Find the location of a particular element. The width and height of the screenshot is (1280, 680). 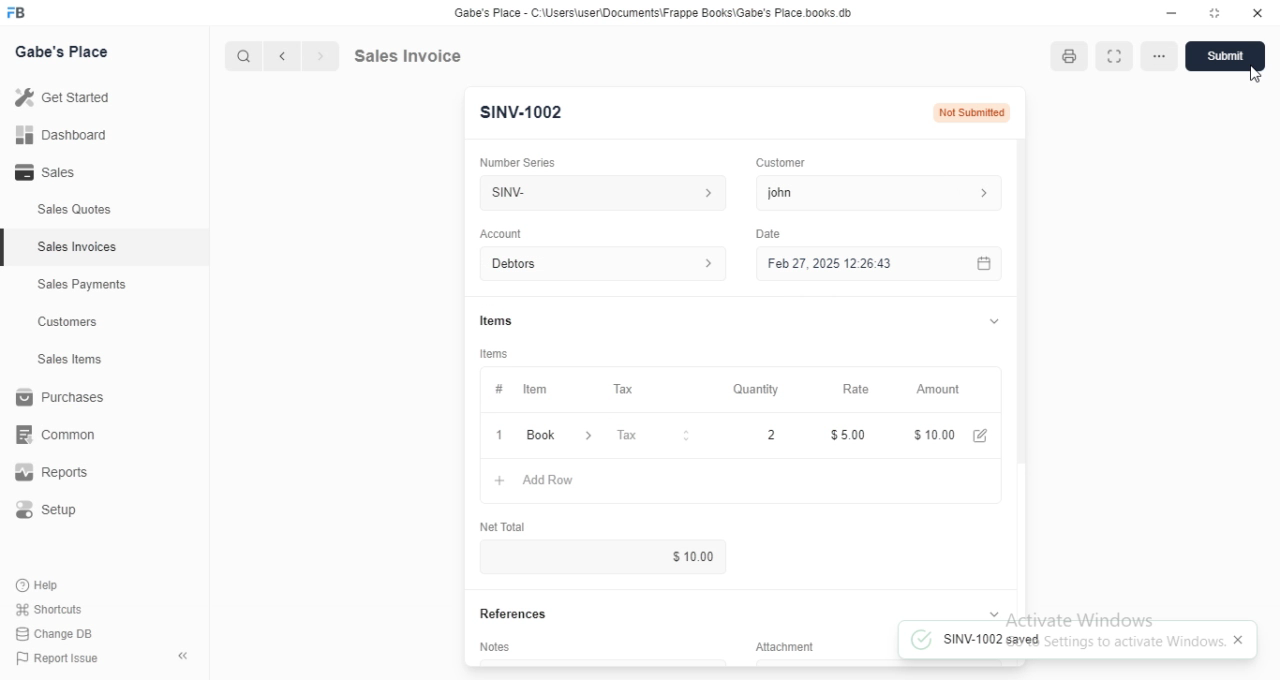

Attachment is located at coordinates (777, 645).